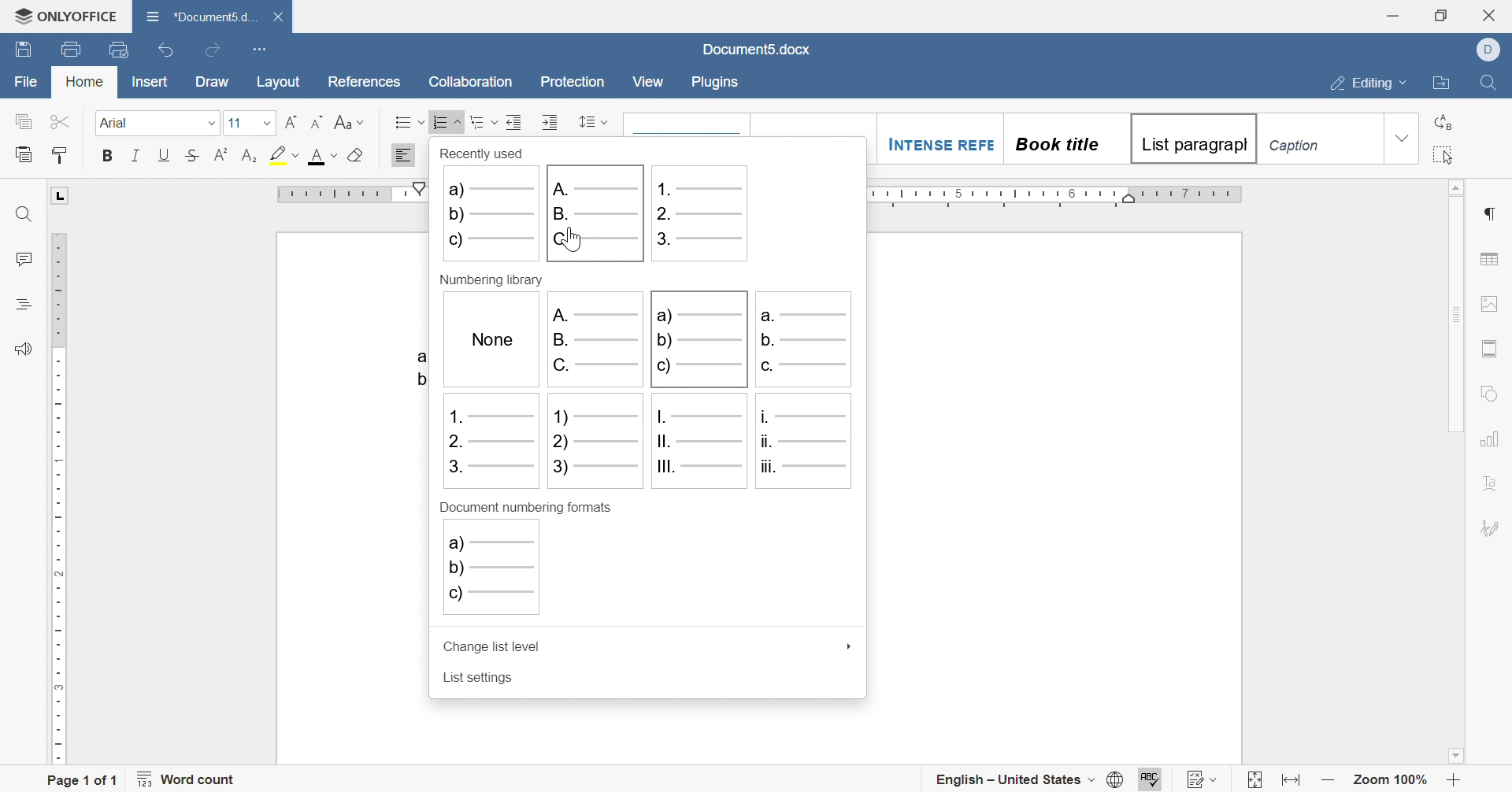  Describe the element at coordinates (1403, 138) in the screenshot. I see `drop down` at that location.